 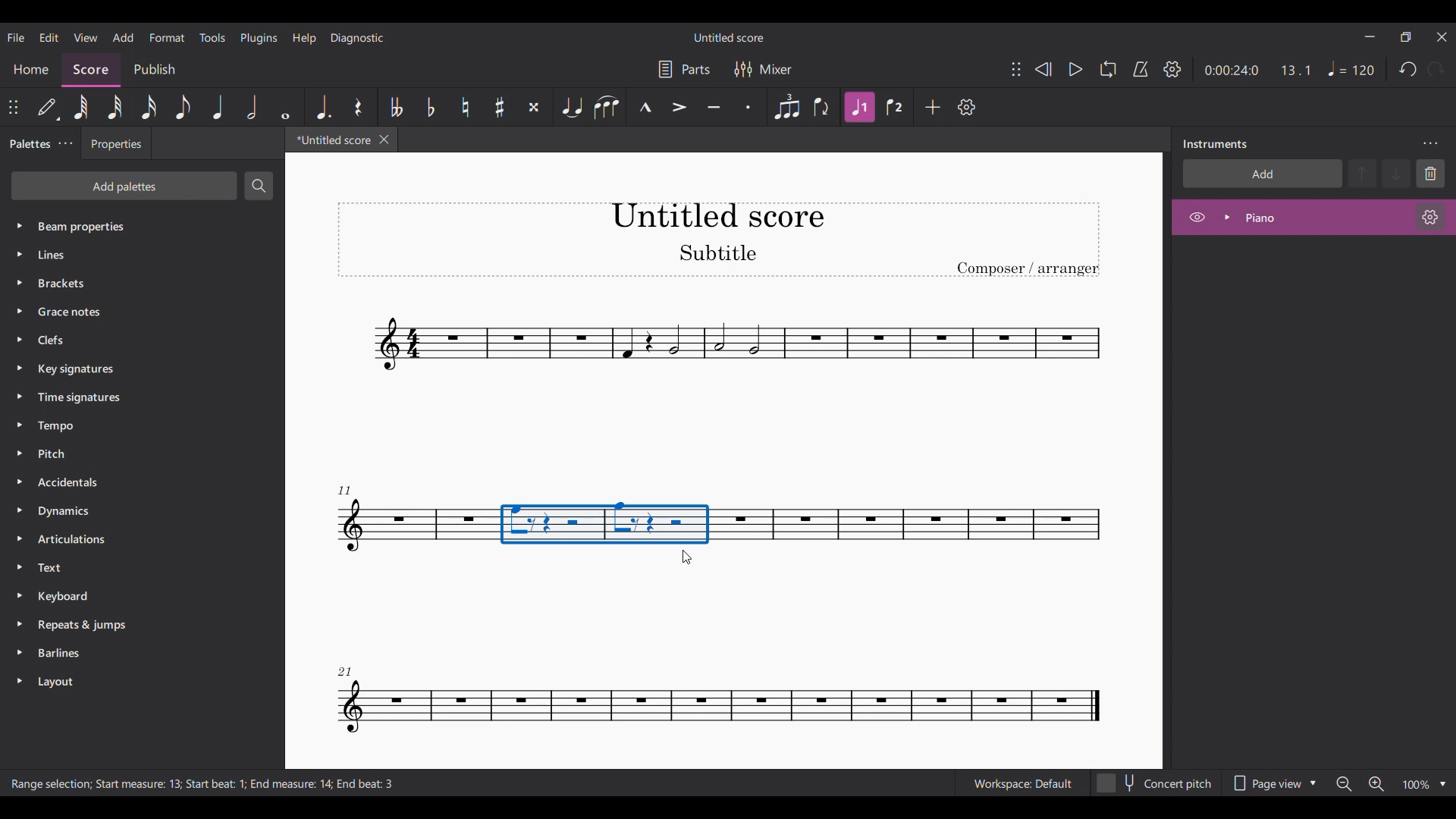 I want to click on Accidentals, so click(x=127, y=483).